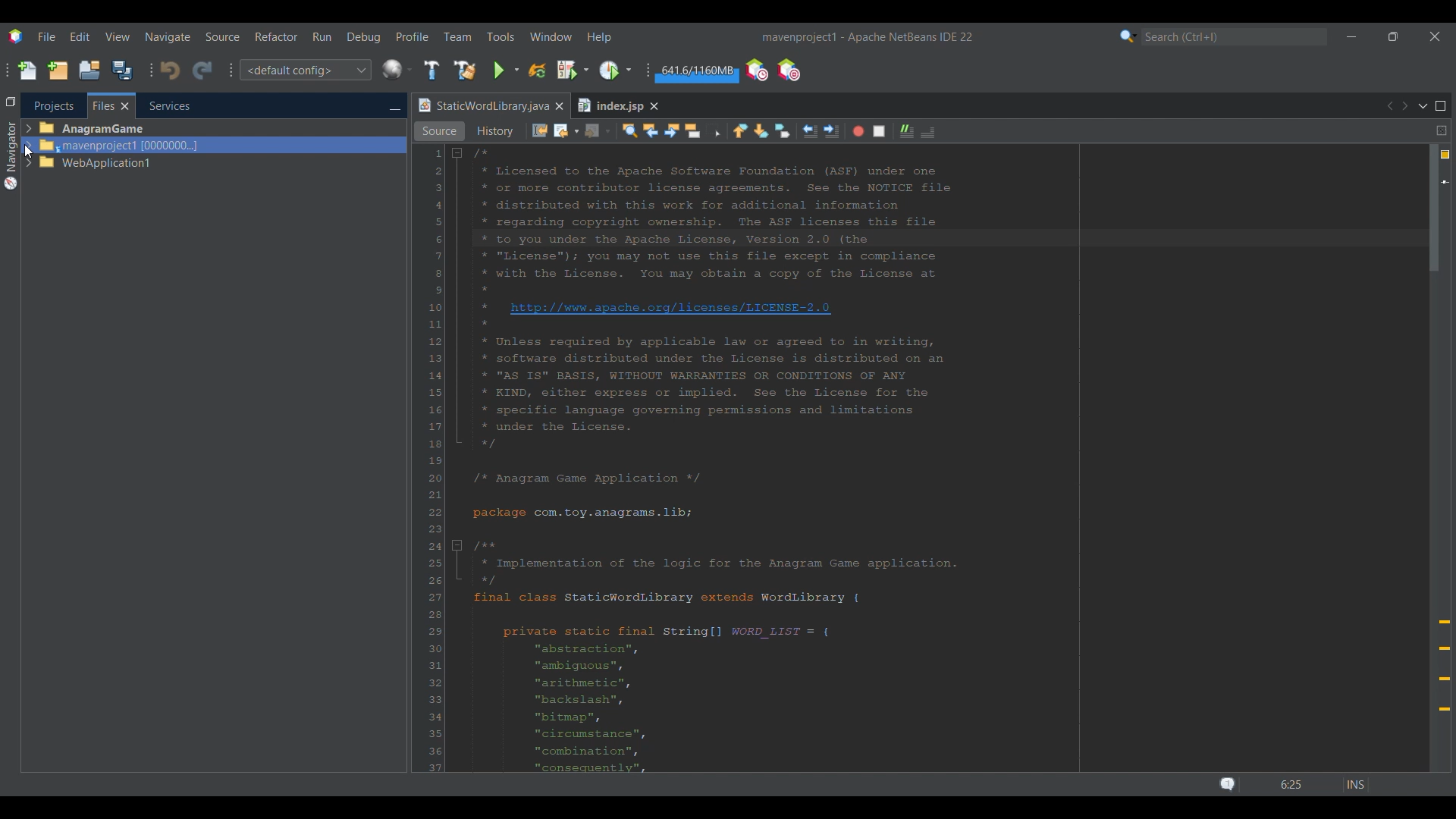 This screenshot has height=819, width=1456. What do you see at coordinates (757, 71) in the screenshot?
I see `Profile the IDE` at bounding box center [757, 71].